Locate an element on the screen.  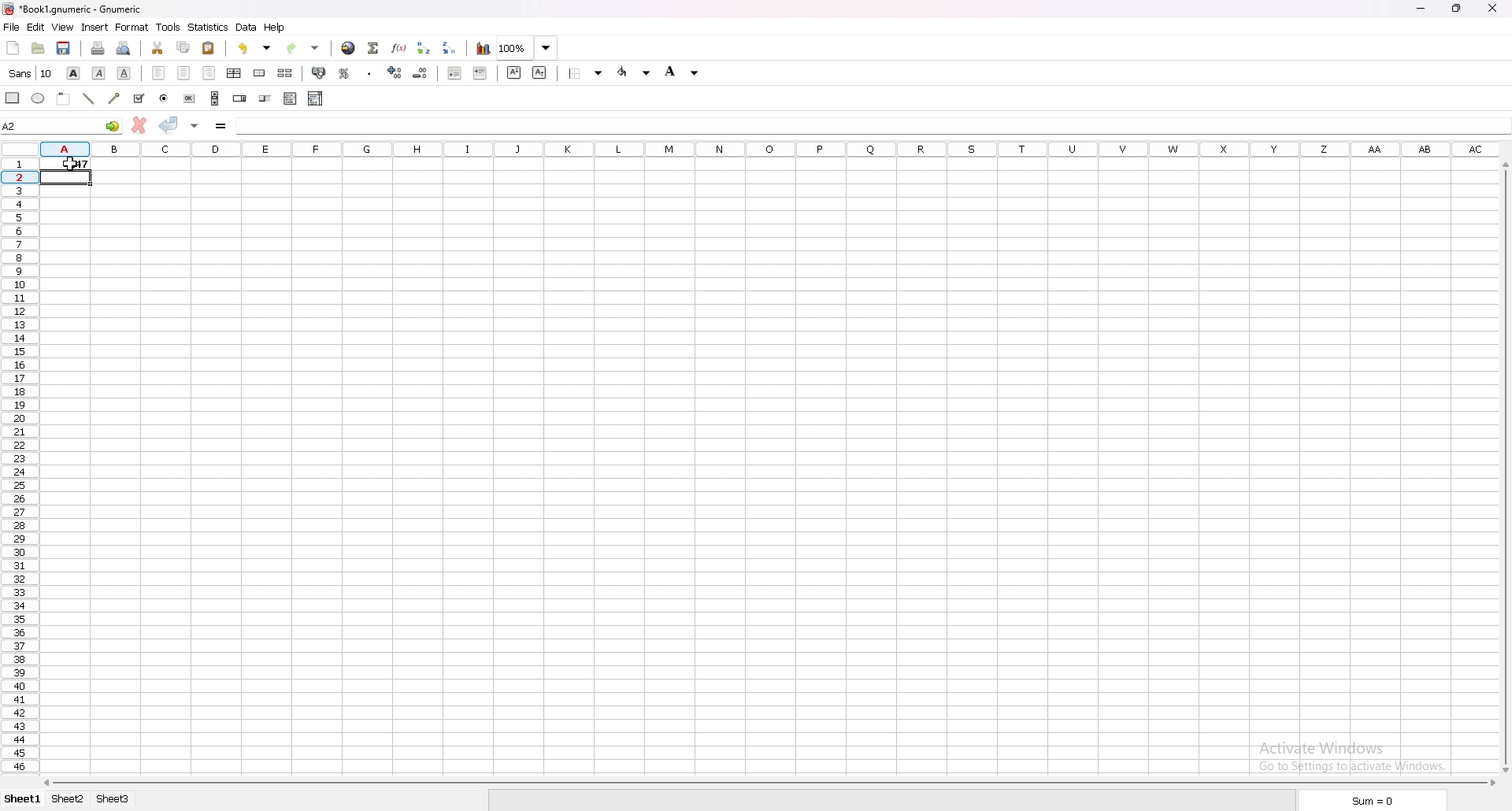
tickbox is located at coordinates (139, 98).